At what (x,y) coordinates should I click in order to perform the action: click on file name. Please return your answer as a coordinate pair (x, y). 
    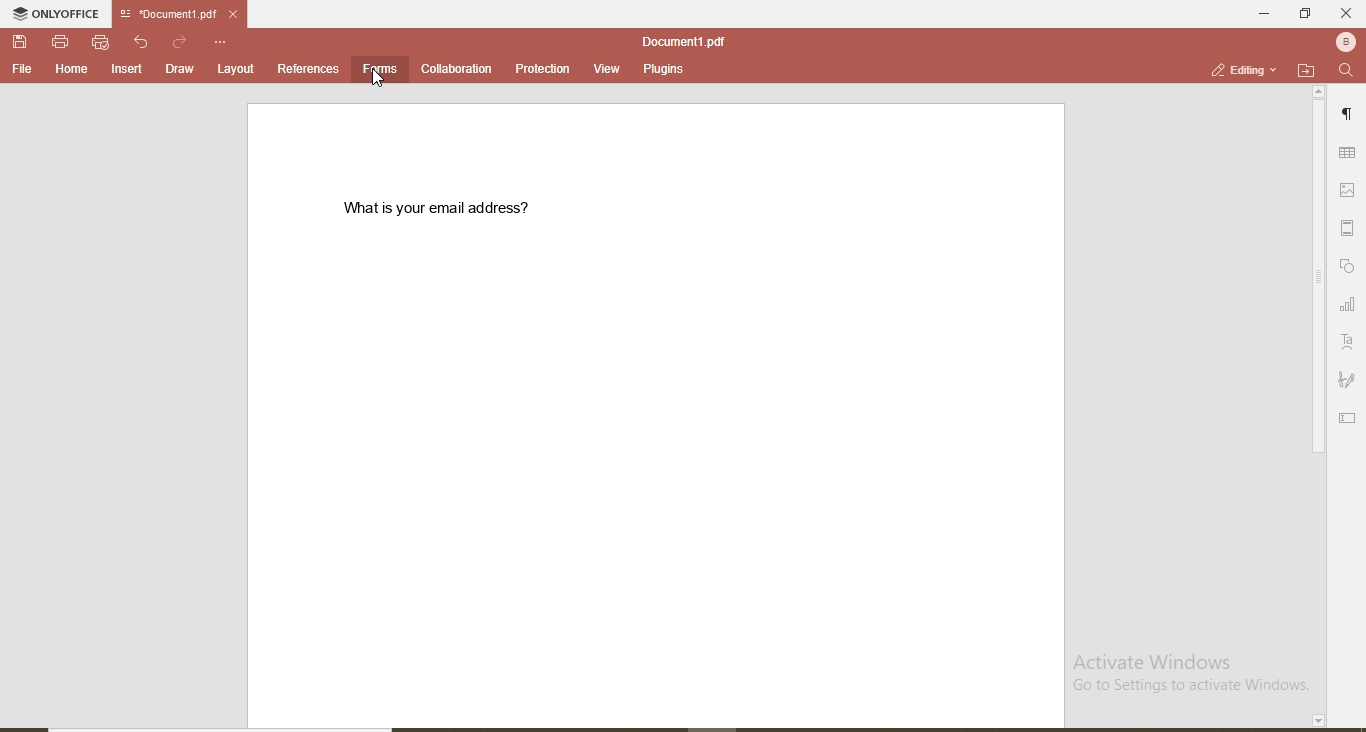
    Looking at the image, I should click on (164, 15).